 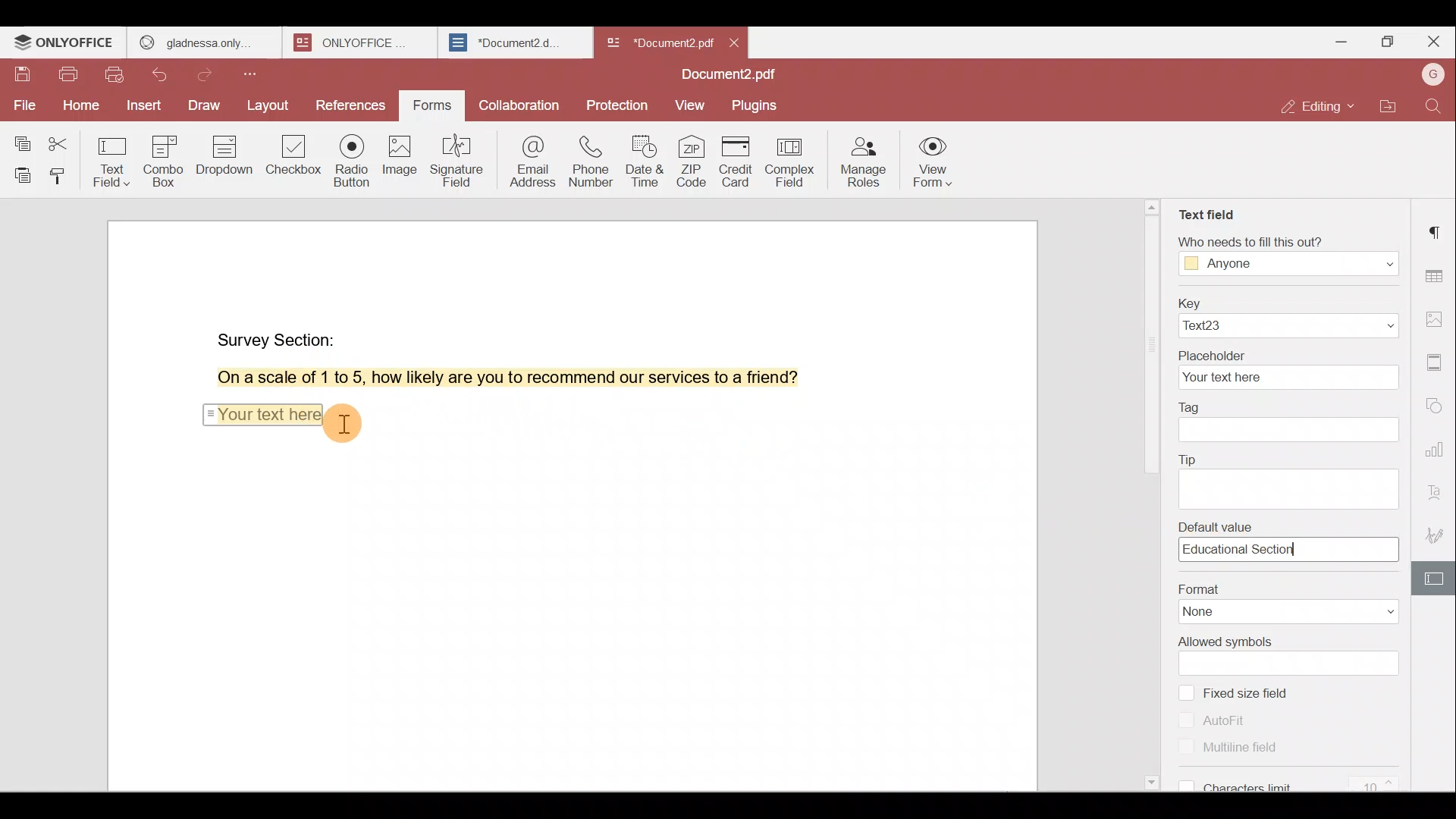 I want to click on Radio, so click(x=353, y=163).